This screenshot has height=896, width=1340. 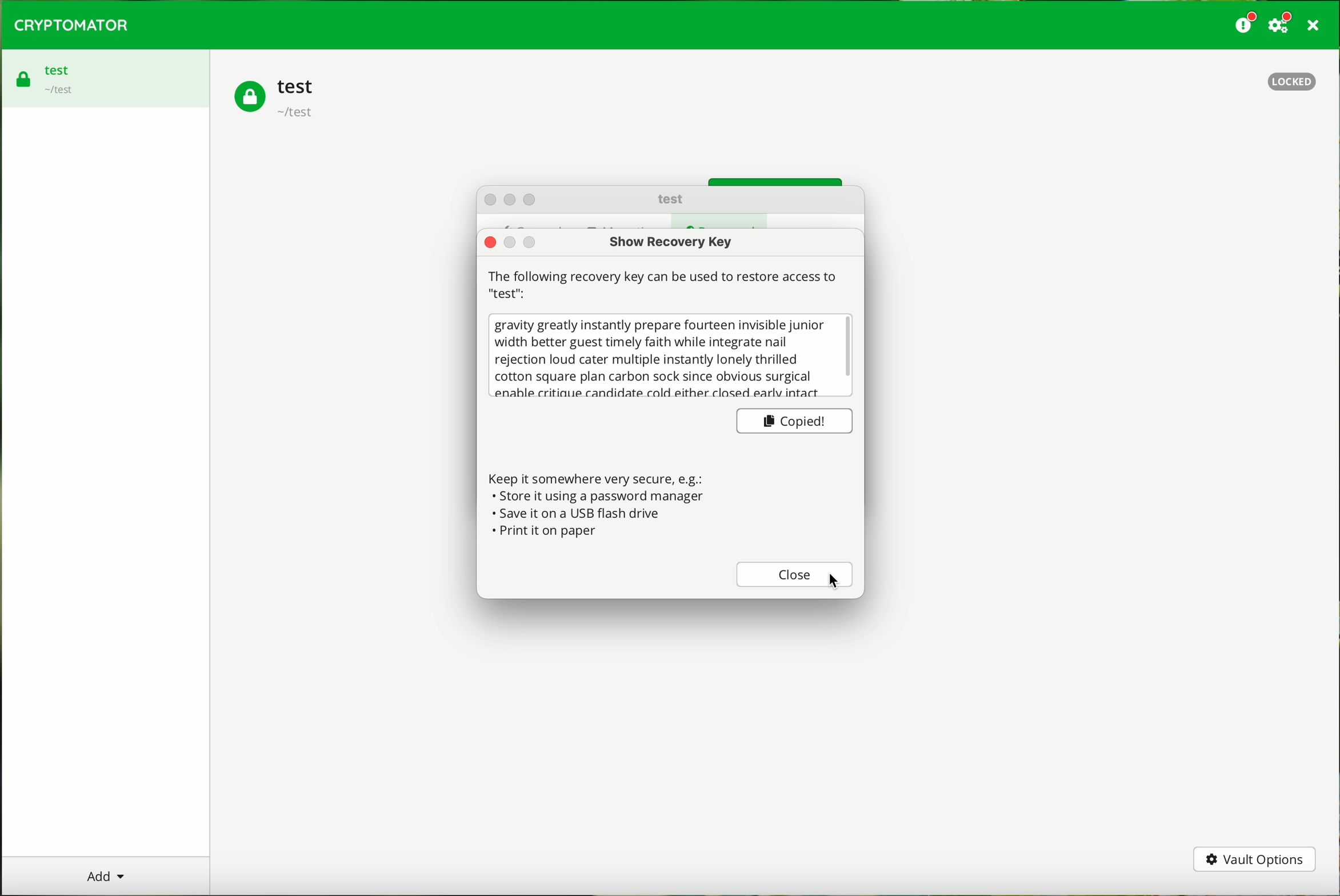 I want to click on | The following recovery key can be used to restore access to
"test", so click(x=660, y=283).